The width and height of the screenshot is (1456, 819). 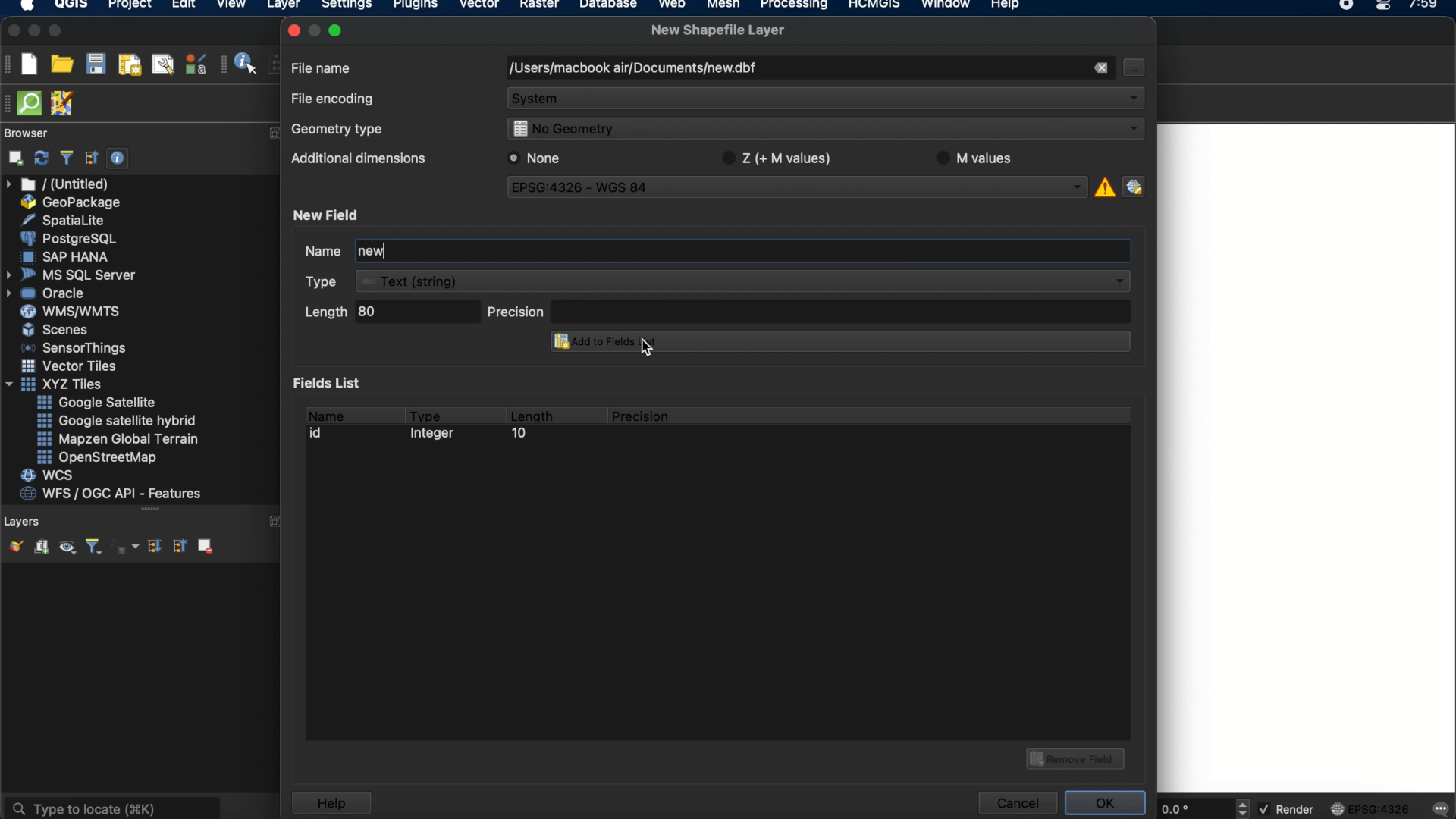 I want to click on text dropdown menu, so click(x=720, y=281).